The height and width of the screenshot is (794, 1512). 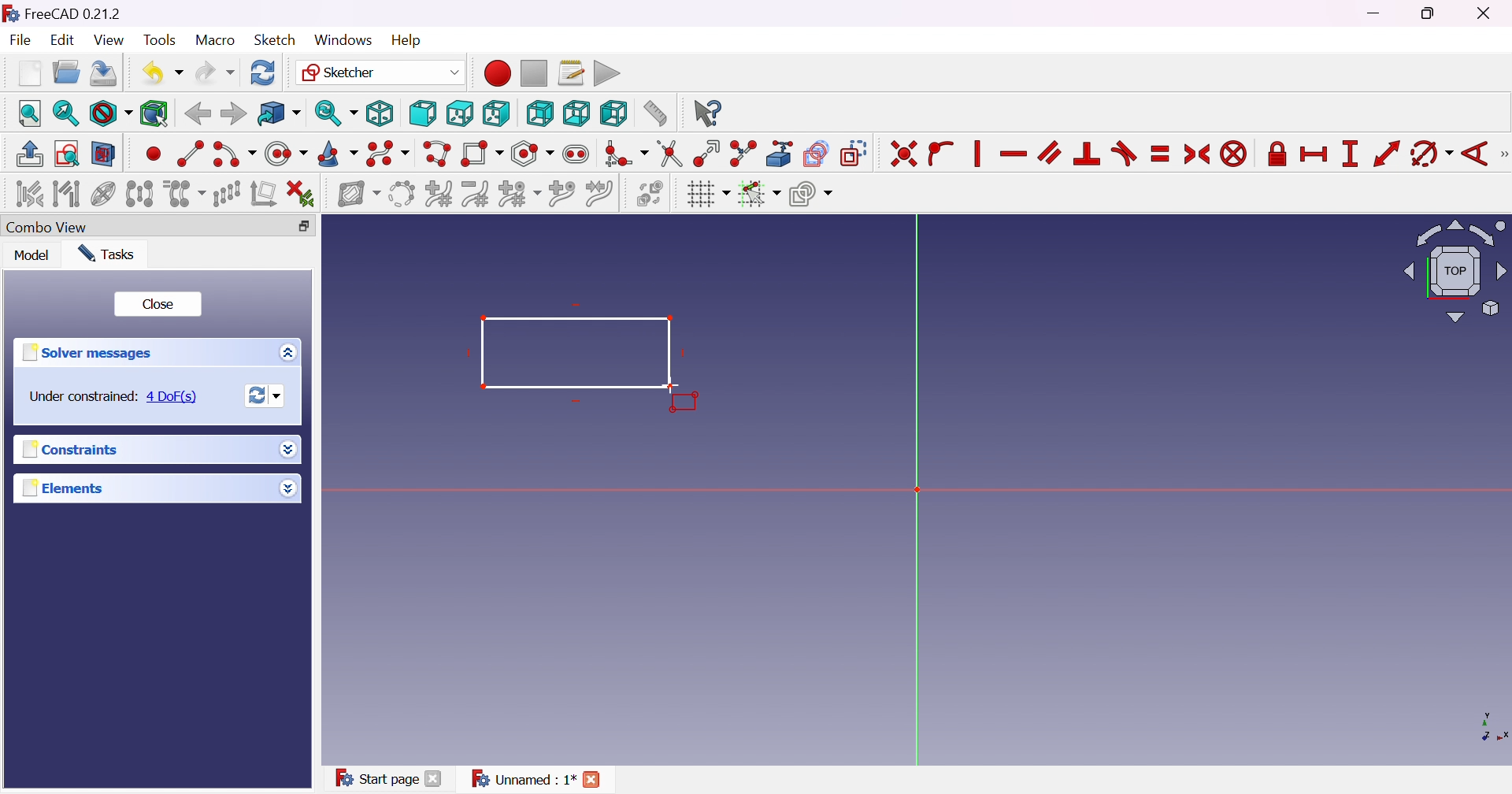 I want to click on Under constrained: 4 DoF(s), so click(x=112, y=397).